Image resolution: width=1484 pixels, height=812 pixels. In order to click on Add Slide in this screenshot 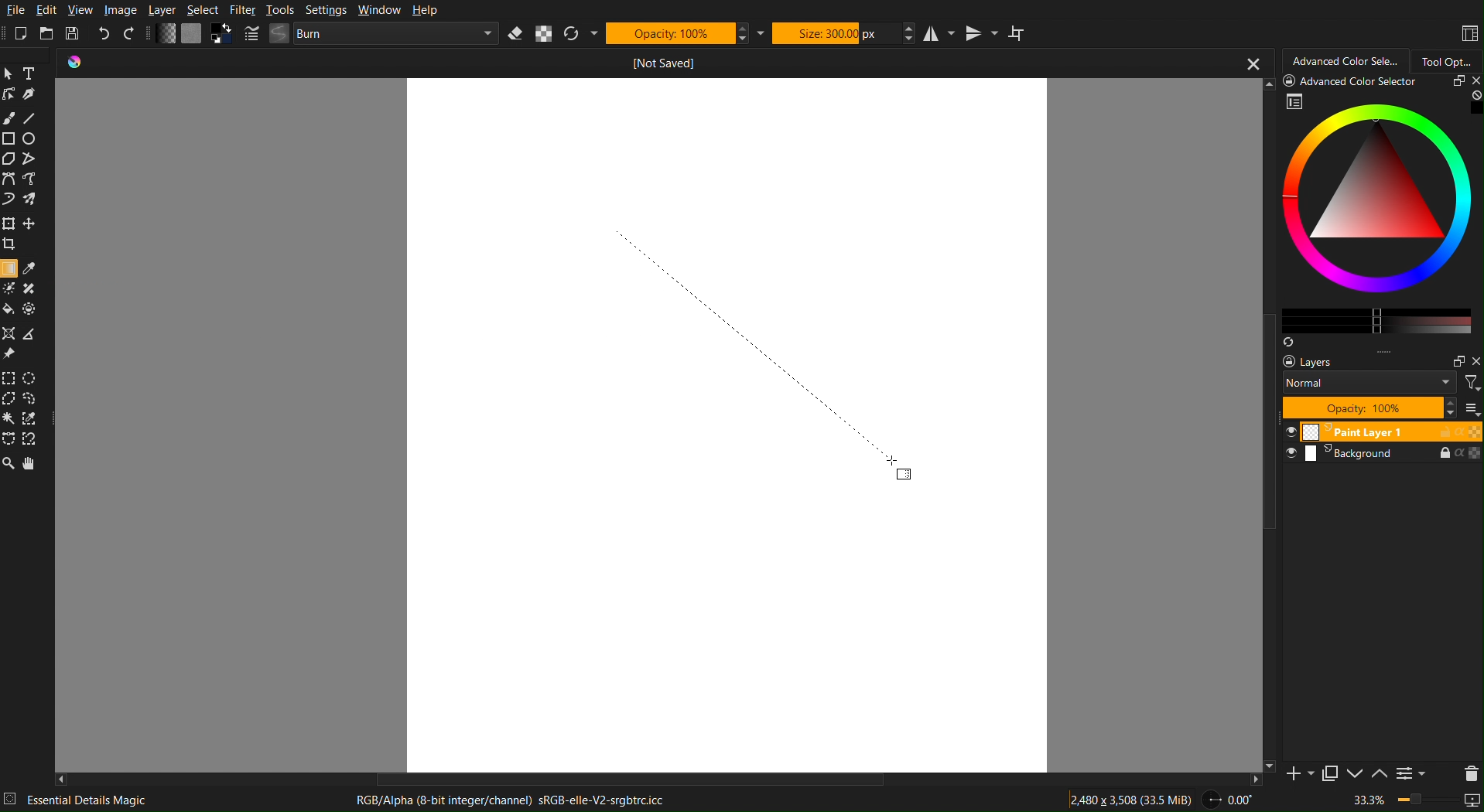, I will do `click(1295, 779)`.